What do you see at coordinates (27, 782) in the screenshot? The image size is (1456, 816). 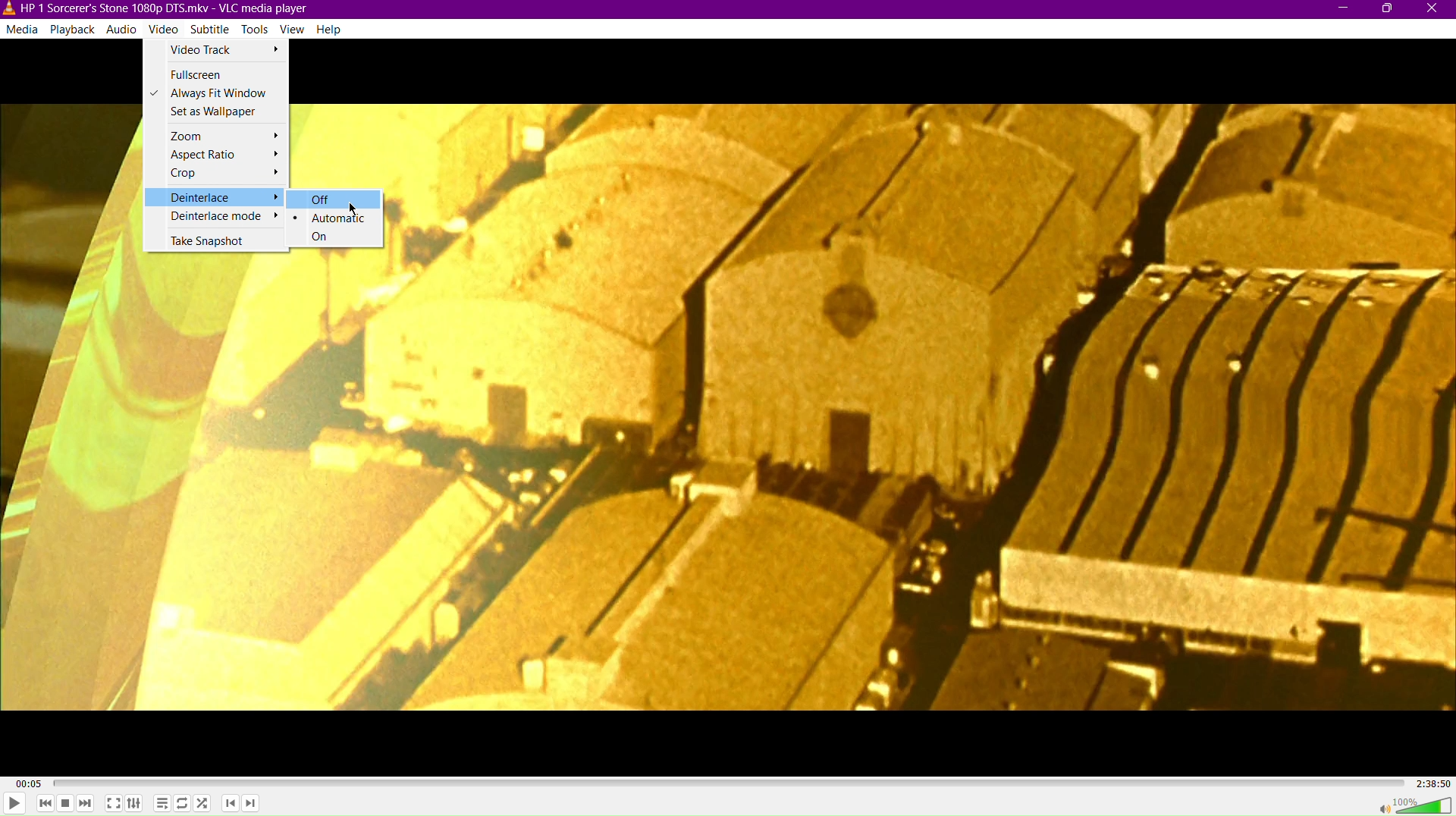 I see `00:05` at bounding box center [27, 782].